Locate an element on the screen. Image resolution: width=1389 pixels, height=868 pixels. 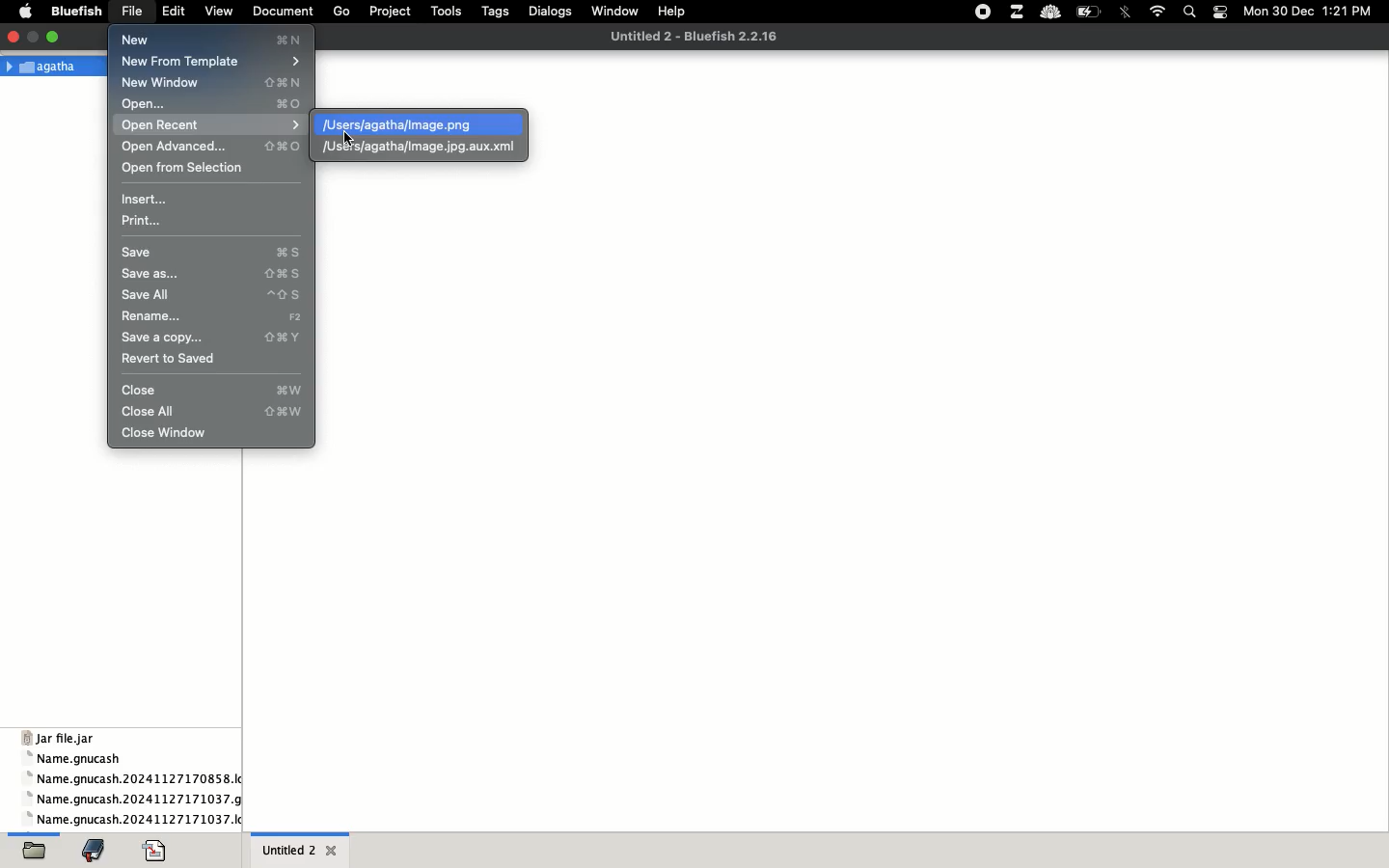
file is located at coordinates (133, 12).